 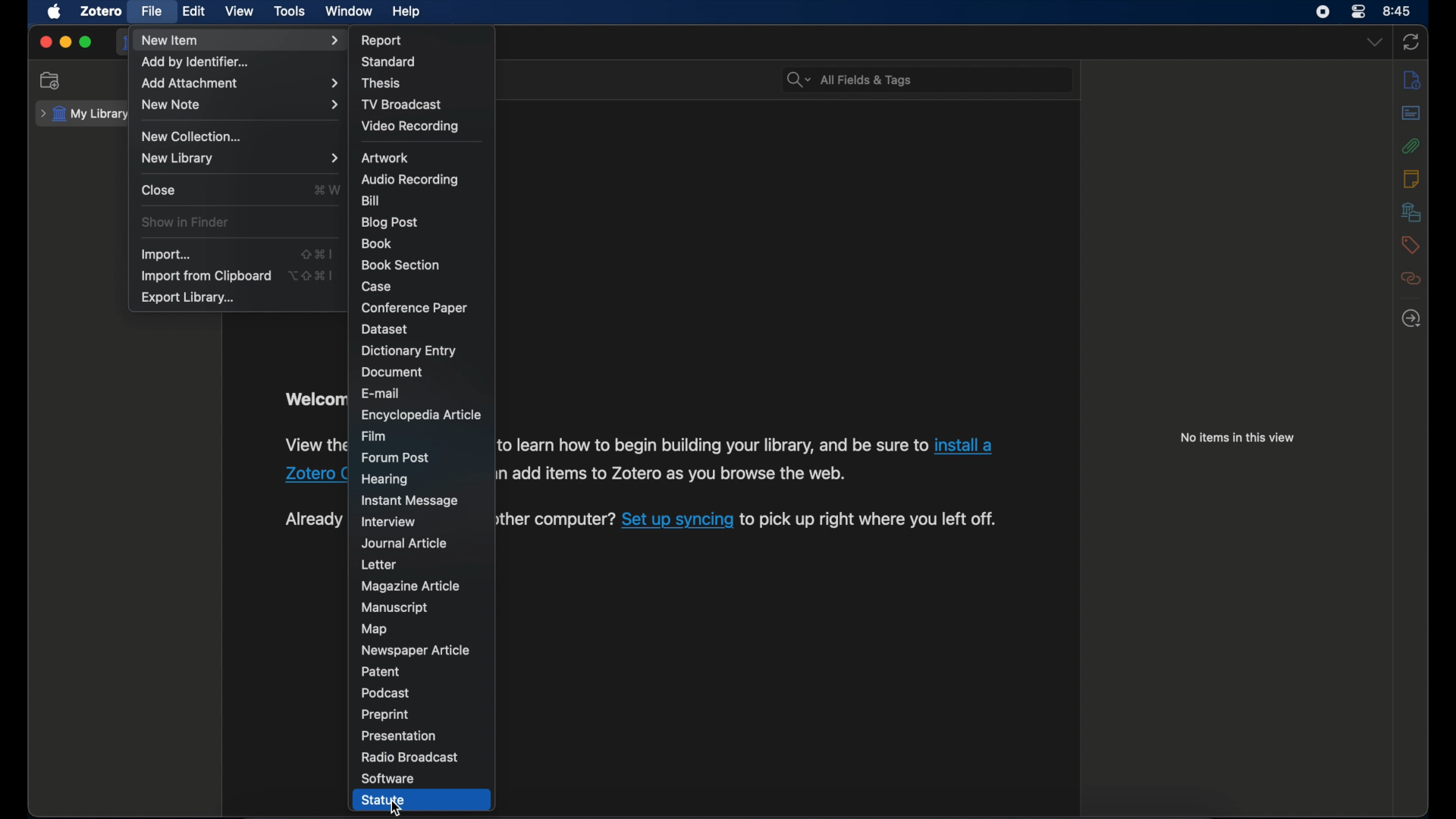 What do you see at coordinates (799, 81) in the screenshot?
I see `search dropdown` at bounding box center [799, 81].